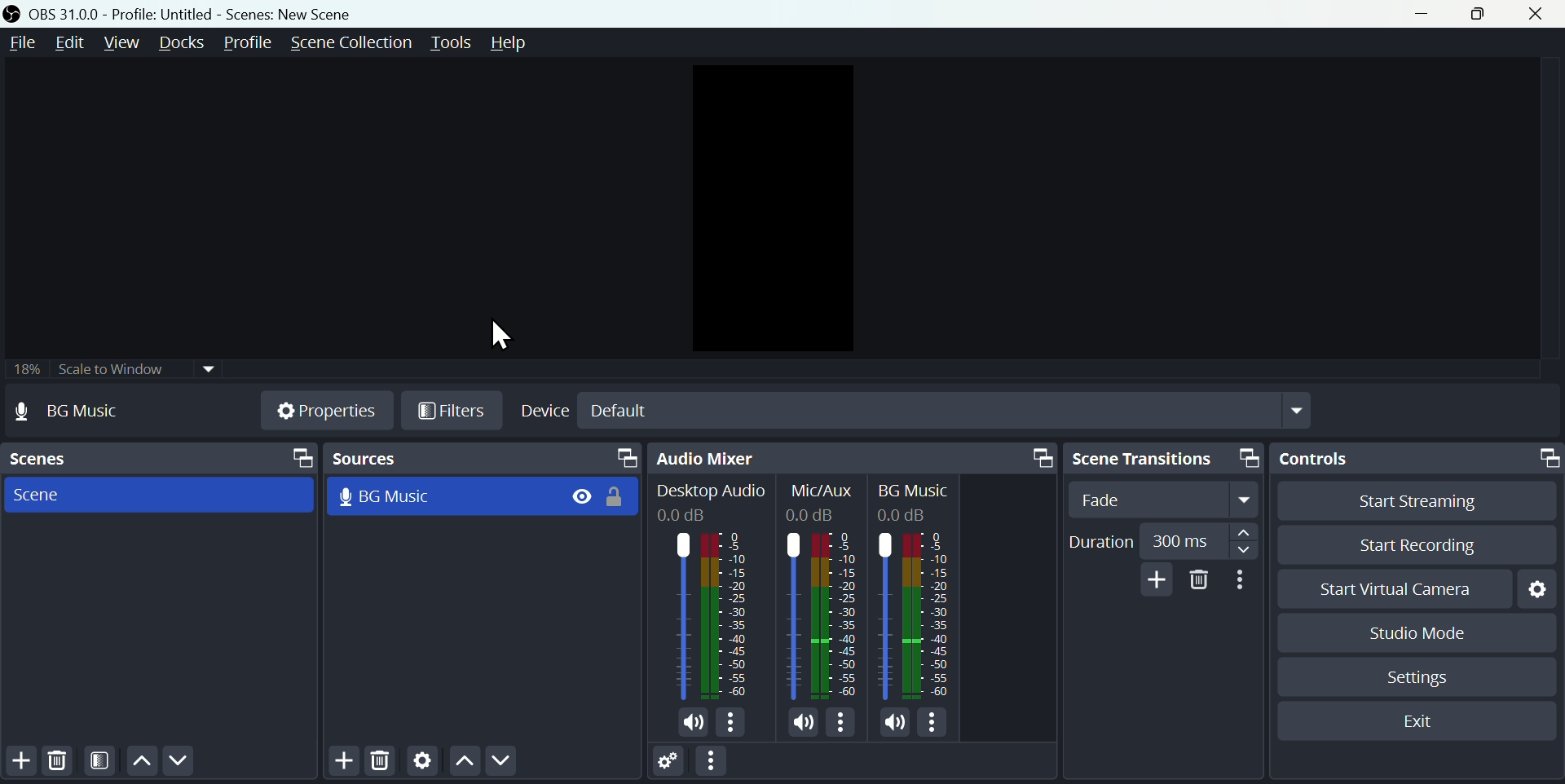  What do you see at coordinates (322, 411) in the screenshot?
I see `Properties` at bounding box center [322, 411].